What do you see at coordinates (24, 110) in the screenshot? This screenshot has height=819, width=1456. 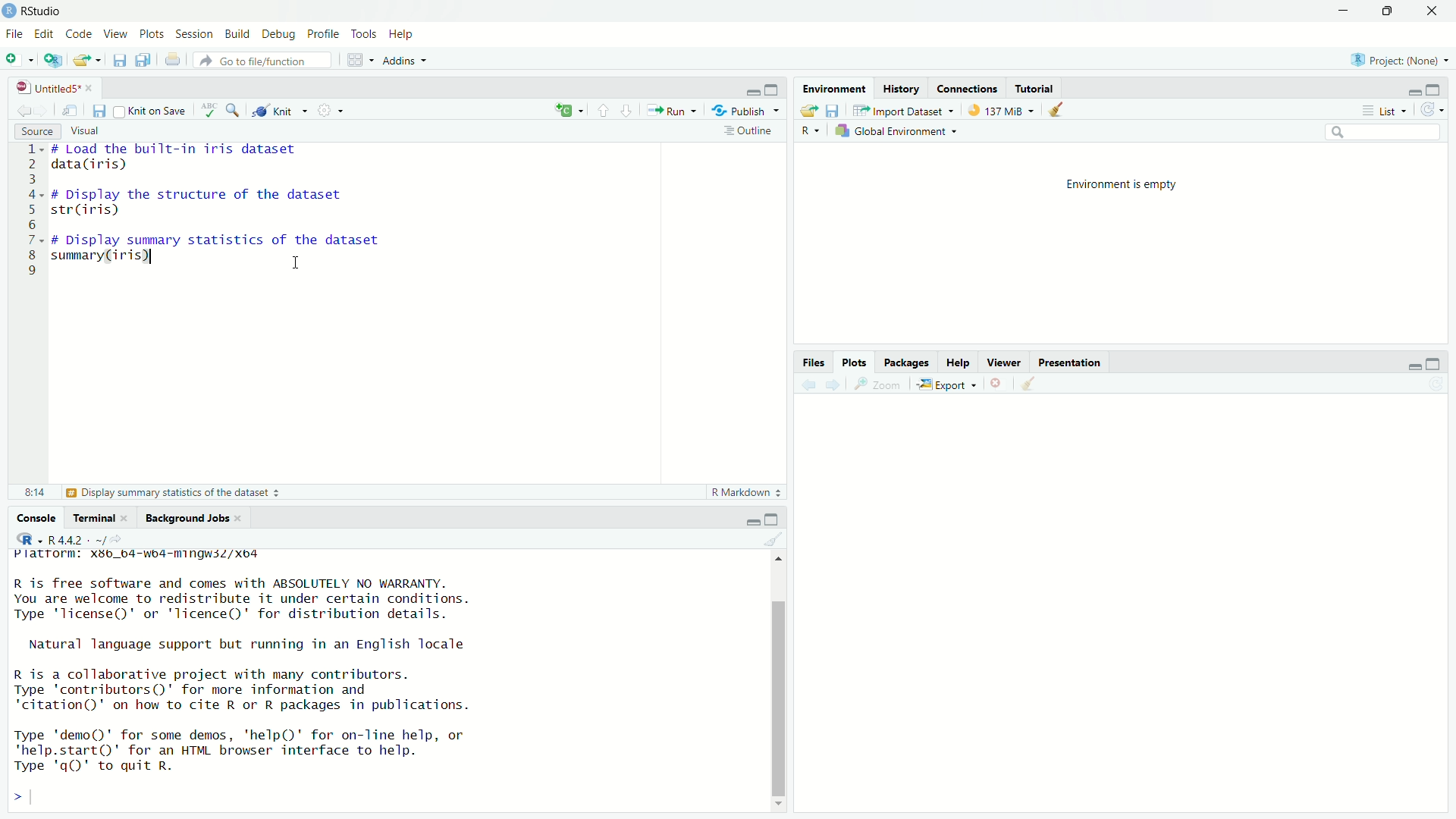 I see `Go to previous location` at bounding box center [24, 110].